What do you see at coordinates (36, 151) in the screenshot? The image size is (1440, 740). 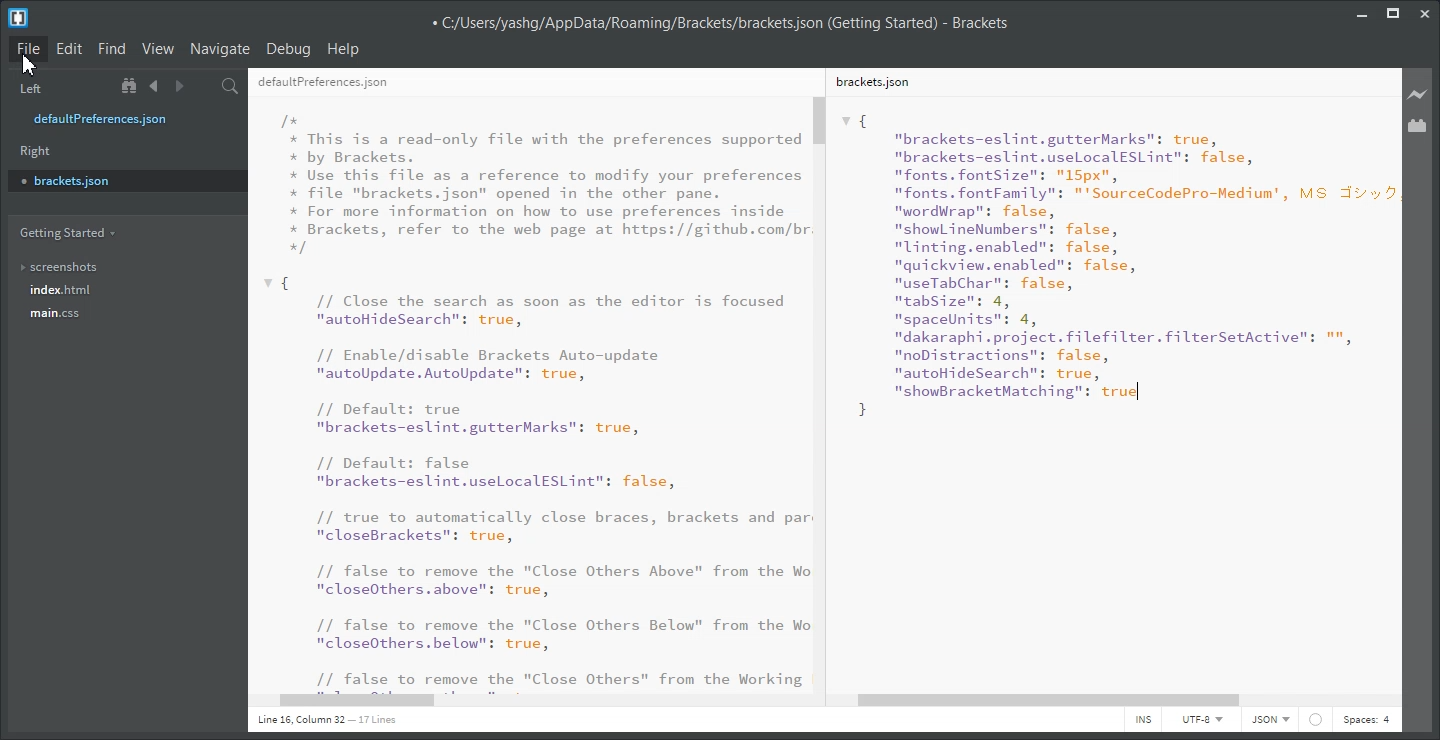 I see `Right` at bounding box center [36, 151].